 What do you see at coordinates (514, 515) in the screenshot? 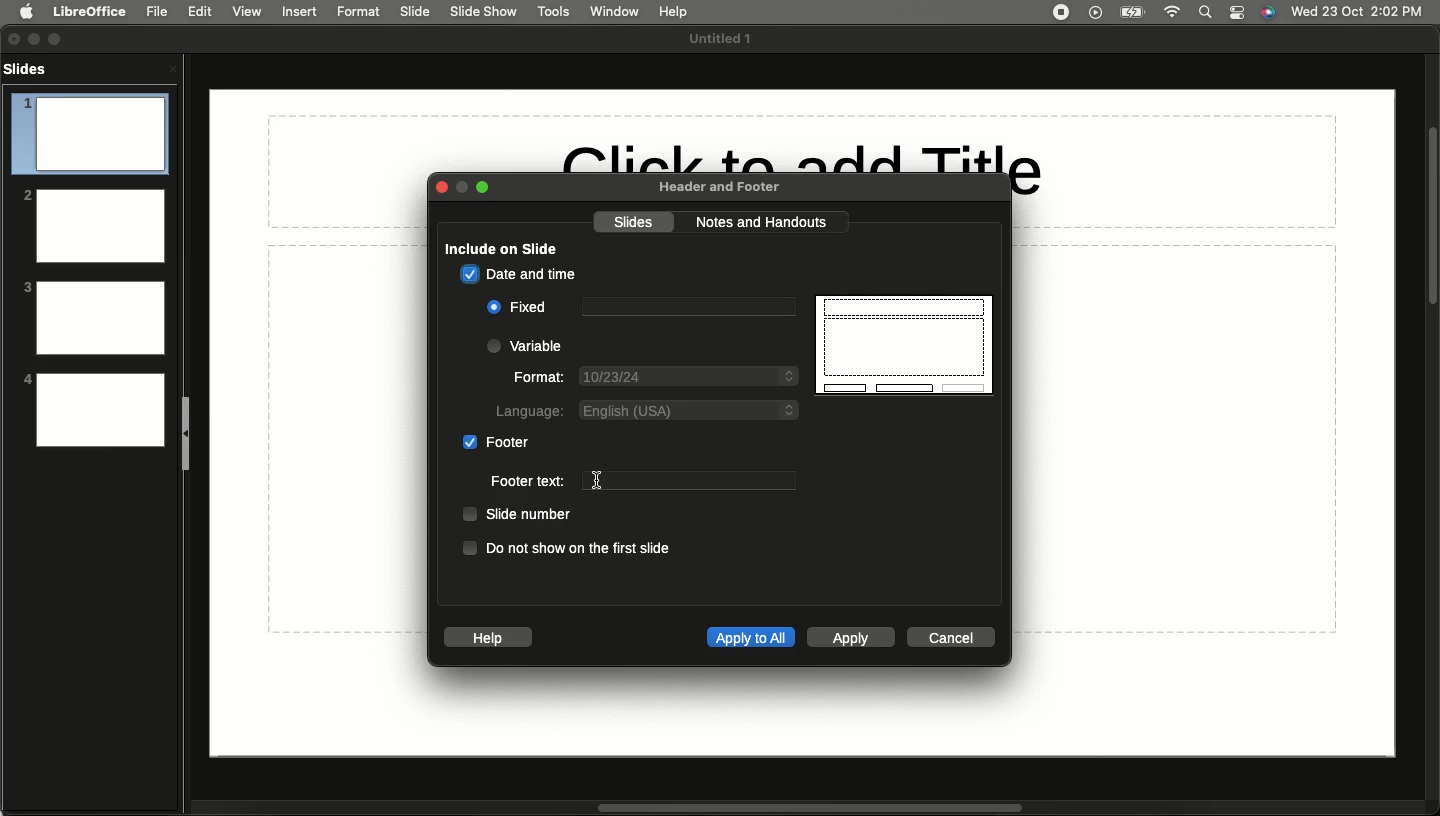
I see `Slide number` at bounding box center [514, 515].